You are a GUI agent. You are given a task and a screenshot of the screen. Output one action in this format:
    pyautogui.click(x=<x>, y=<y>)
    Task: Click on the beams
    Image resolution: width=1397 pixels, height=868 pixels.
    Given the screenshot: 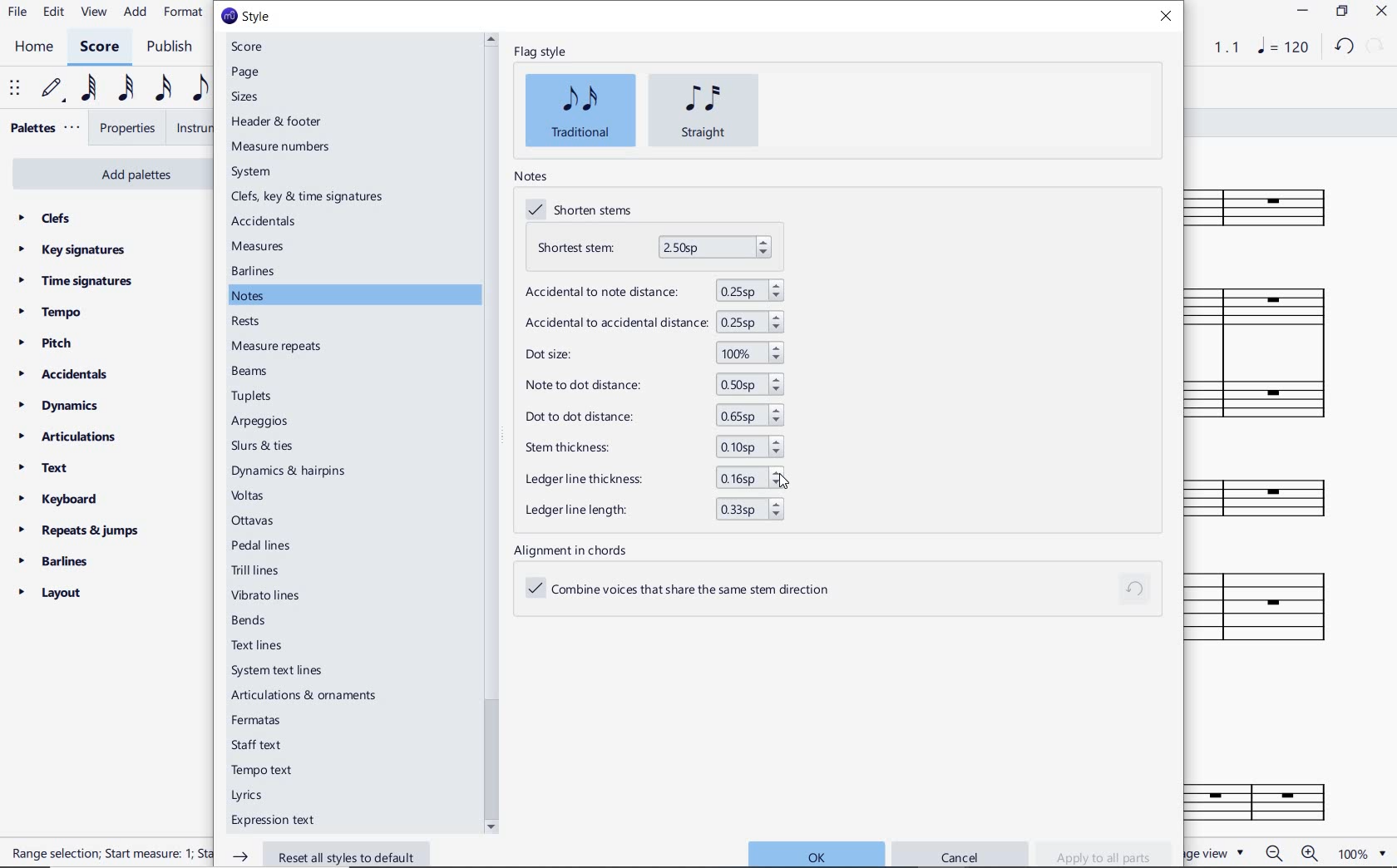 What is the action you would take?
    pyautogui.click(x=250, y=371)
    